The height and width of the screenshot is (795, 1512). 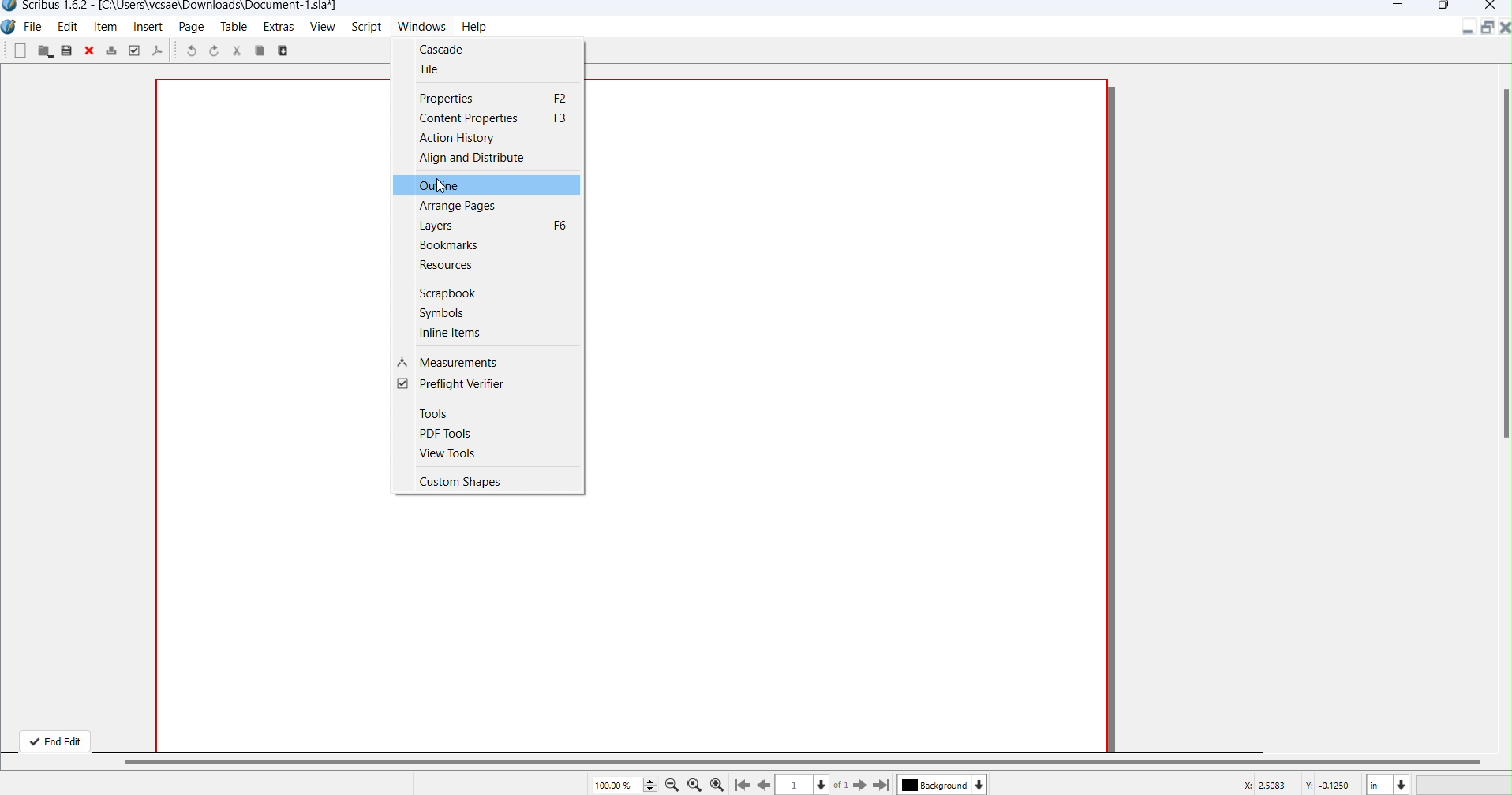 What do you see at coordinates (1503, 28) in the screenshot?
I see `Close` at bounding box center [1503, 28].